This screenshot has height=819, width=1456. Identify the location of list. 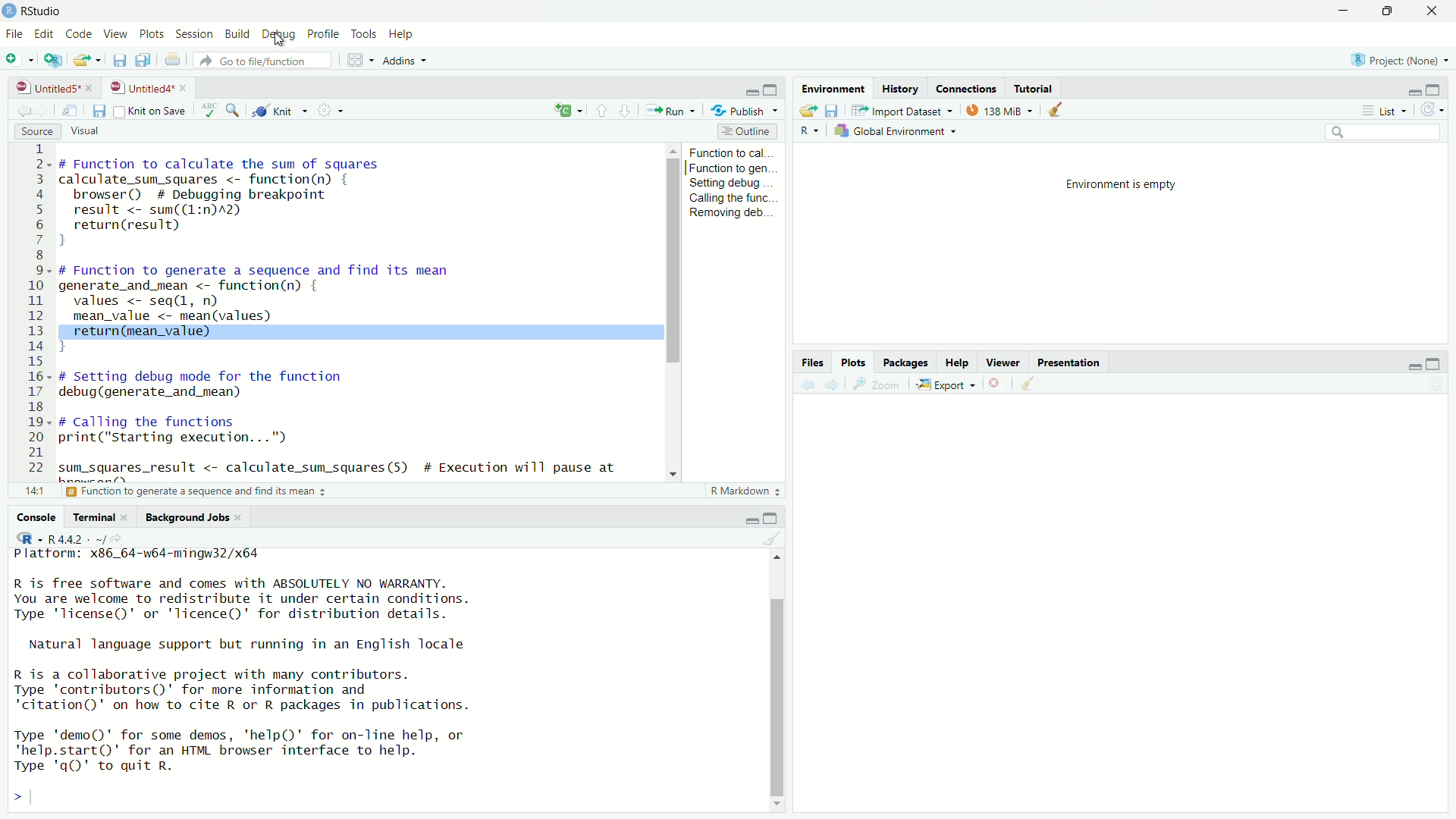
(1382, 111).